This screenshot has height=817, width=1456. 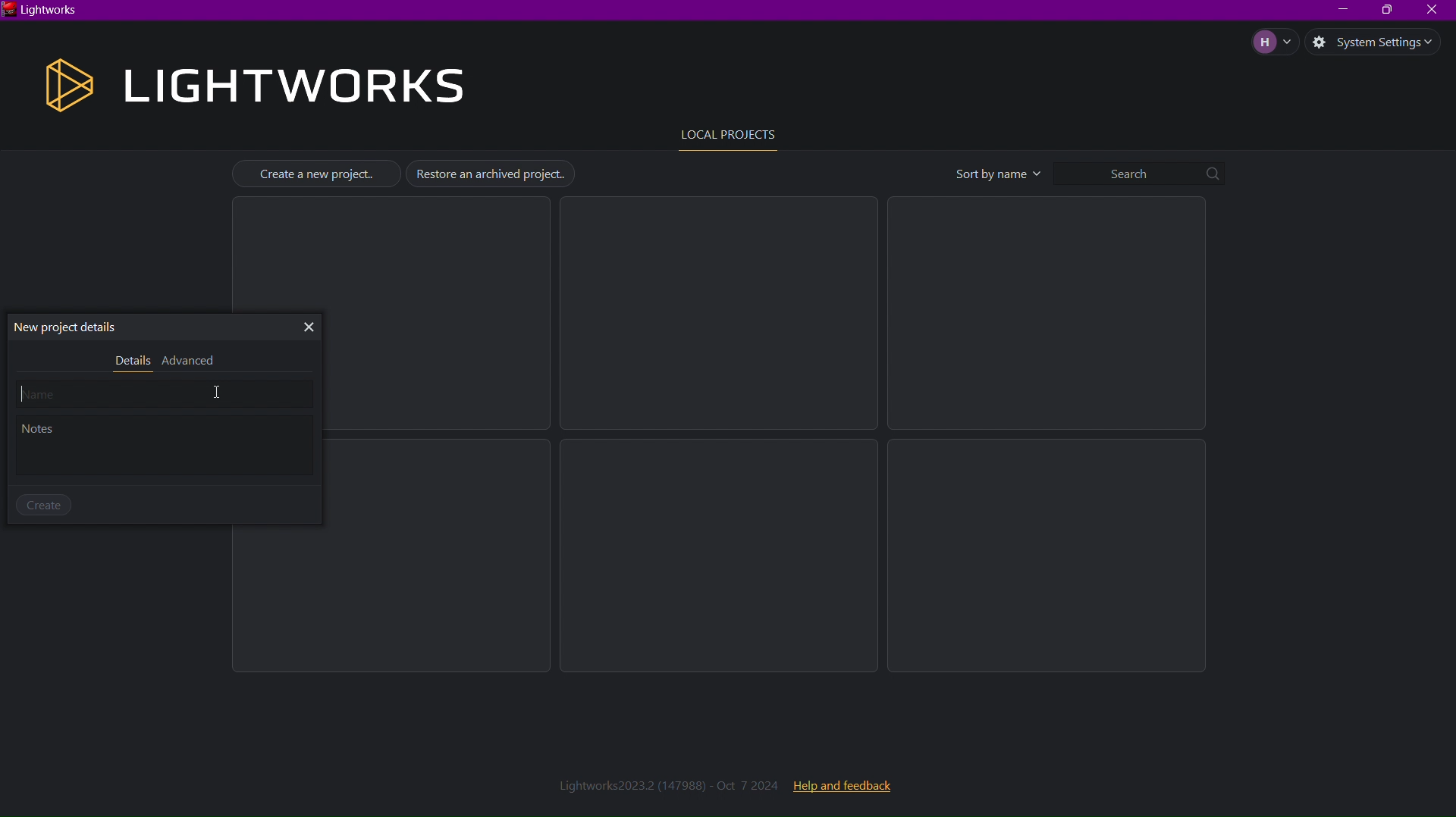 I want to click on Close, so click(x=1433, y=11).